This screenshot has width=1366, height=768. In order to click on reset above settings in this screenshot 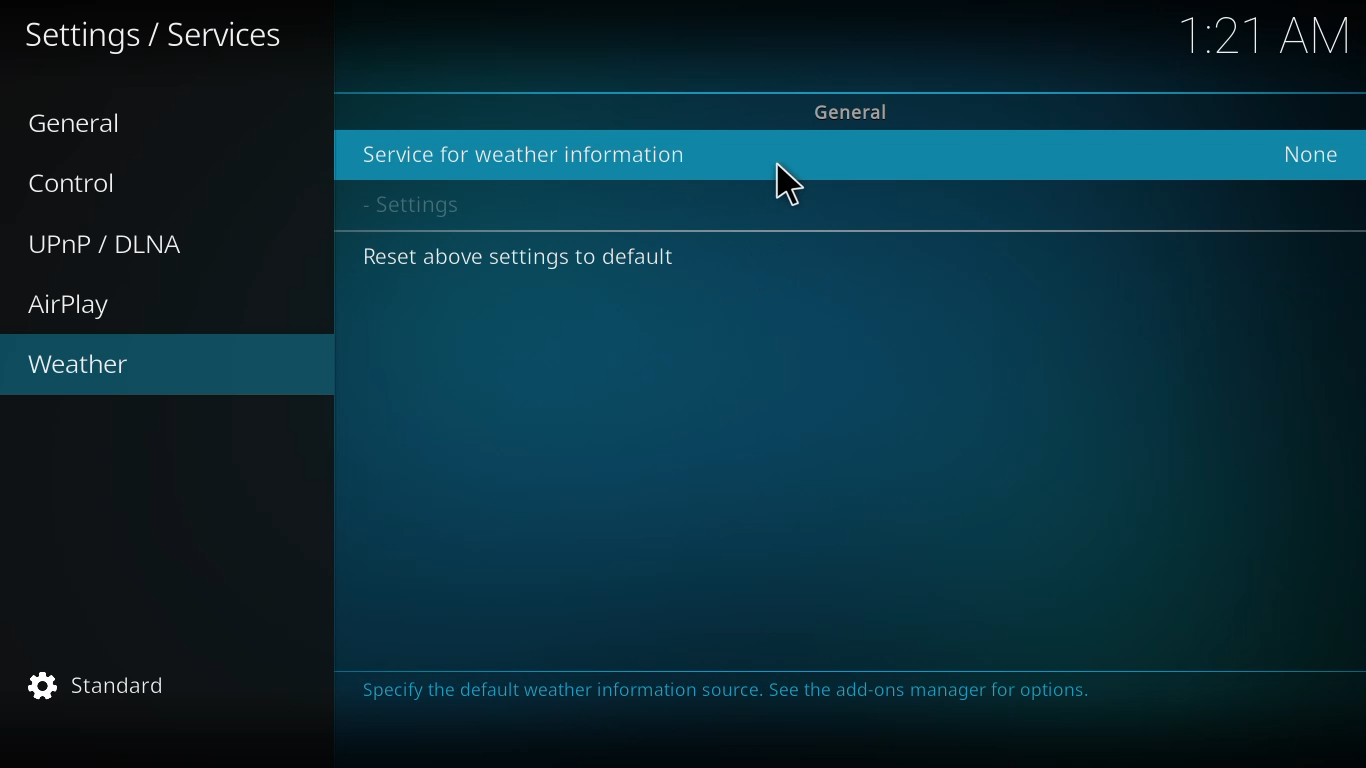, I will do `click(521, 257)`.